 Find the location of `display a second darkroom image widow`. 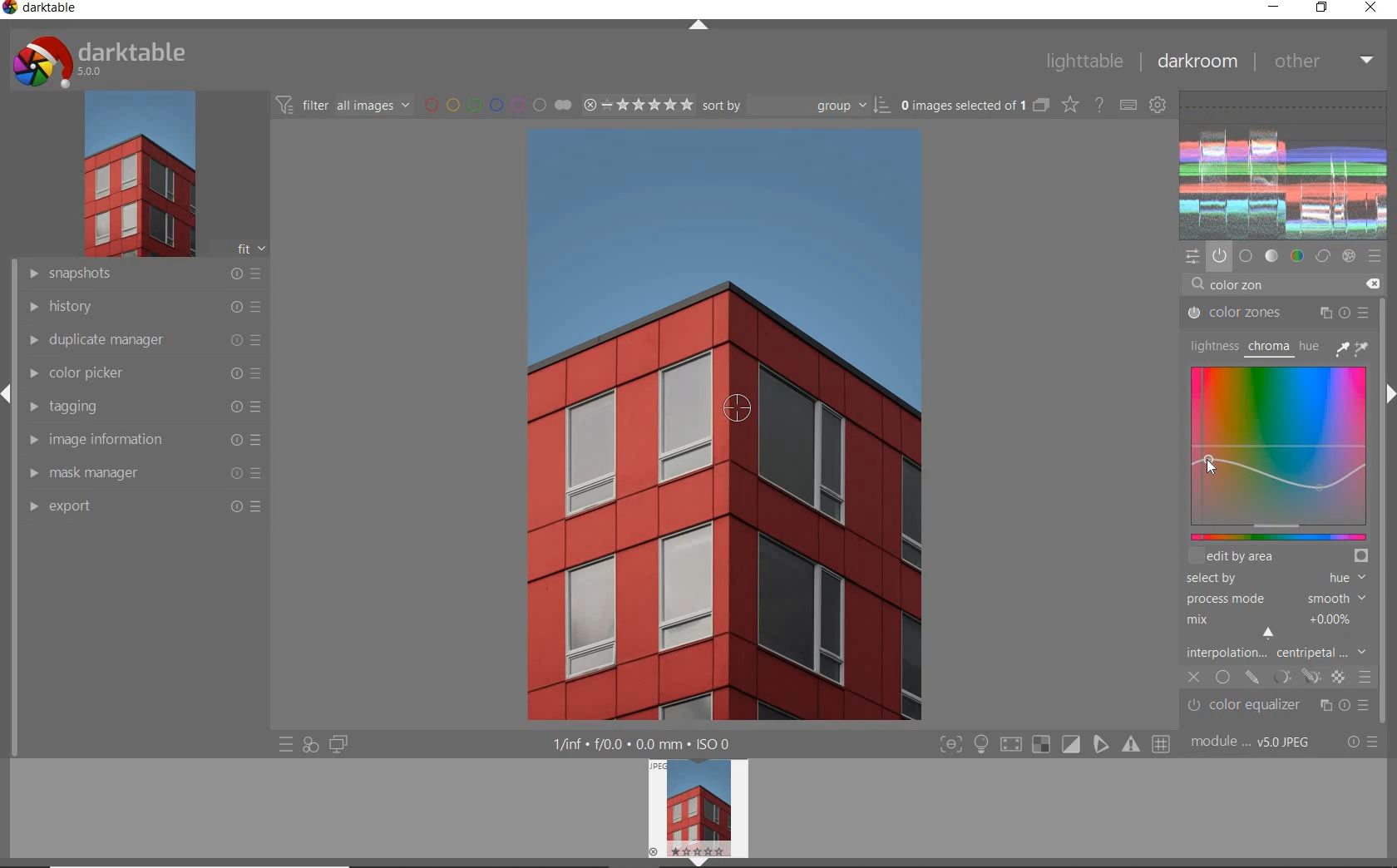

display a second darkroom image widow is located at coordinates (338, 742).